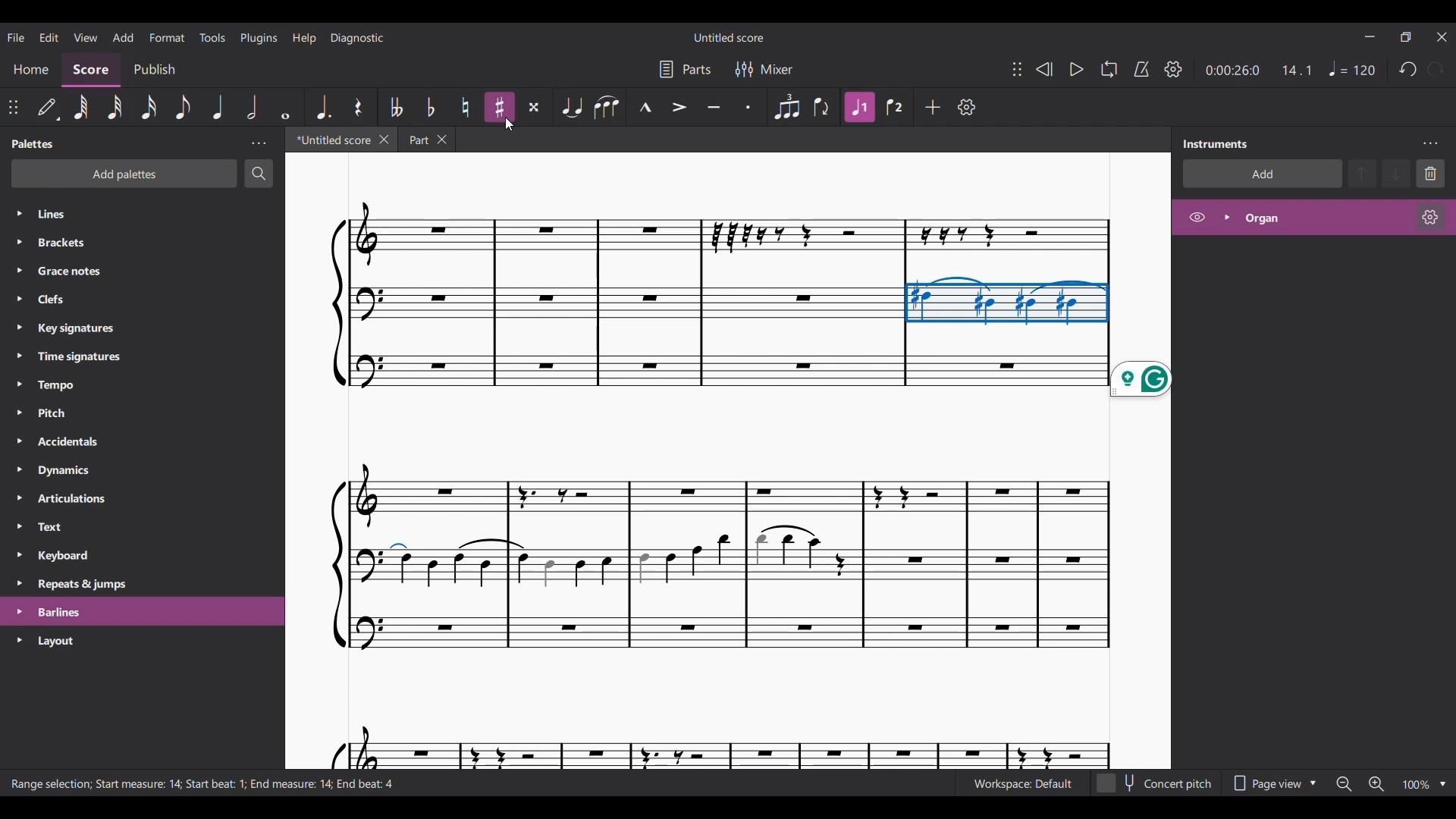  I want to click on Slur, so click(607, 108).